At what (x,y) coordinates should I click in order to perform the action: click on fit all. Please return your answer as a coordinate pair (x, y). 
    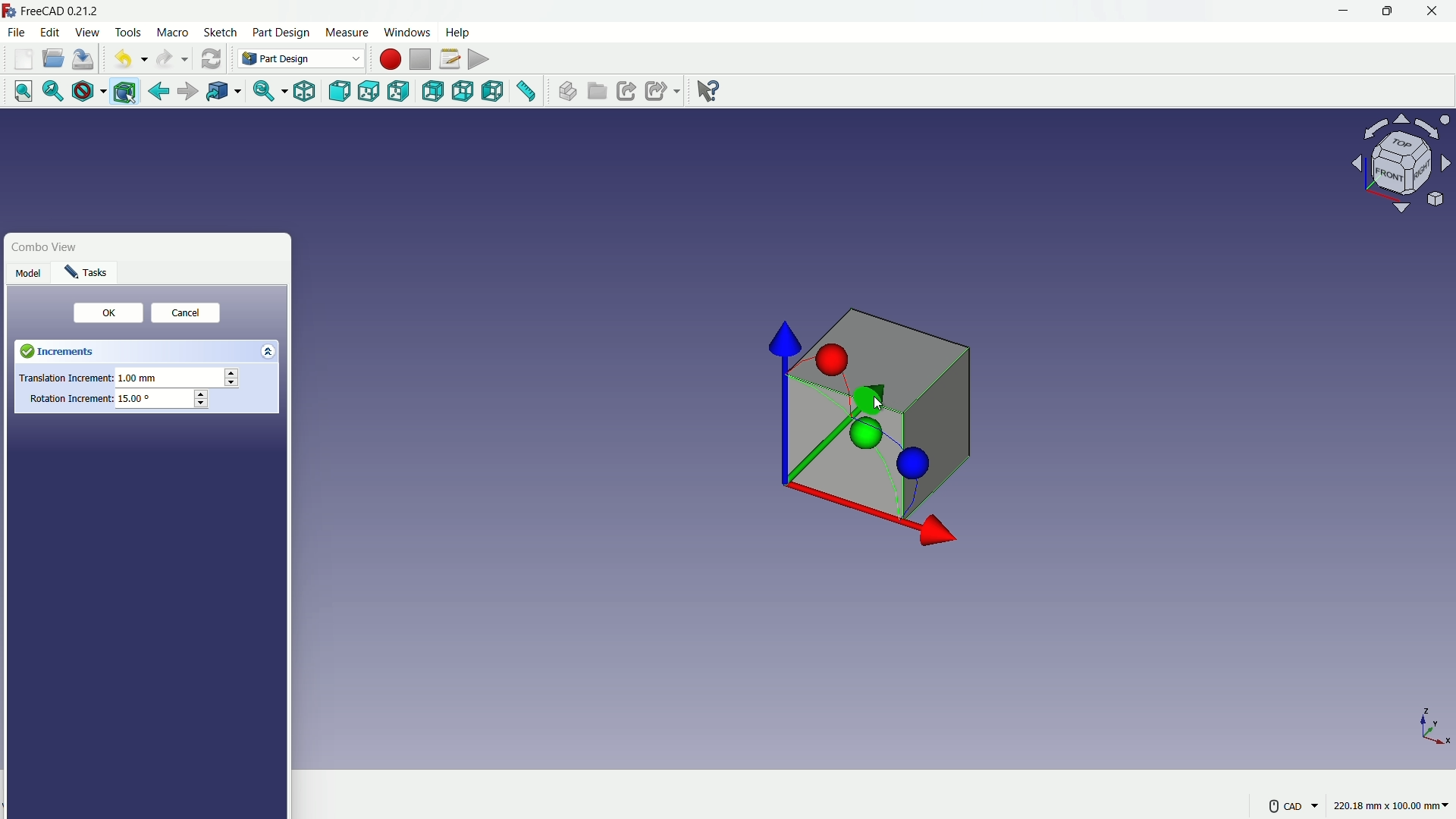
    Looking at the image, I should click on (18, 90).